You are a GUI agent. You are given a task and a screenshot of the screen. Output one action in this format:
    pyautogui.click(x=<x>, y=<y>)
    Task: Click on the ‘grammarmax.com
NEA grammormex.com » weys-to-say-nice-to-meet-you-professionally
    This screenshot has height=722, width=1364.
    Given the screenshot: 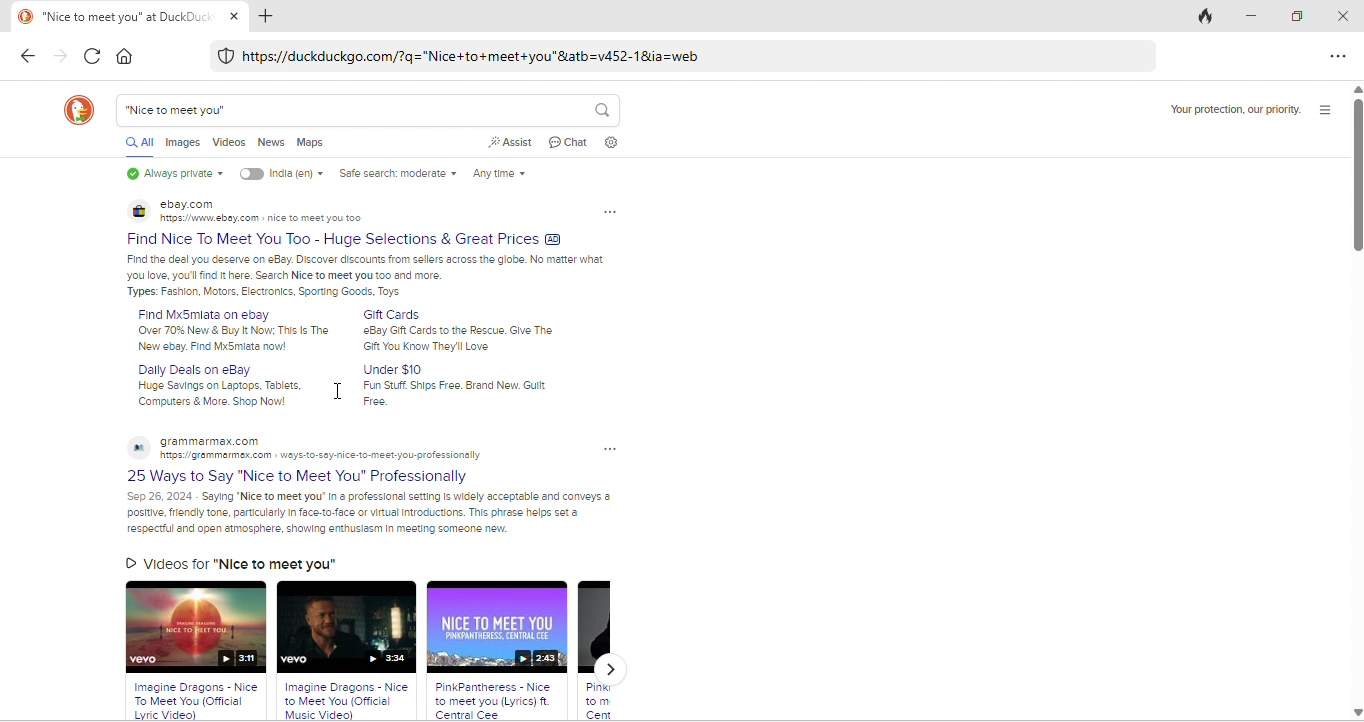 What is the action you would take?
    pyautogui.click(x=321, y=457)
    